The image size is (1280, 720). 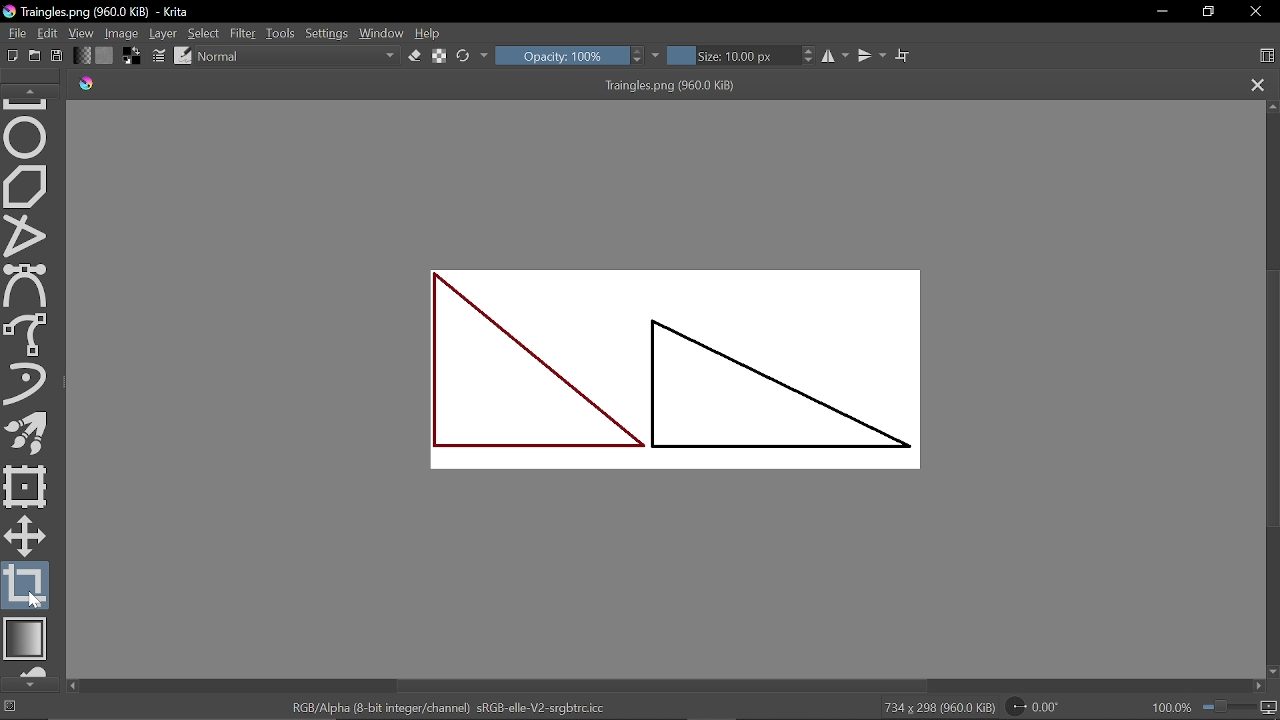 What do you see at coordinates (14, 32) in the screenshot?
I see `File` at bounding box center [14, 32].